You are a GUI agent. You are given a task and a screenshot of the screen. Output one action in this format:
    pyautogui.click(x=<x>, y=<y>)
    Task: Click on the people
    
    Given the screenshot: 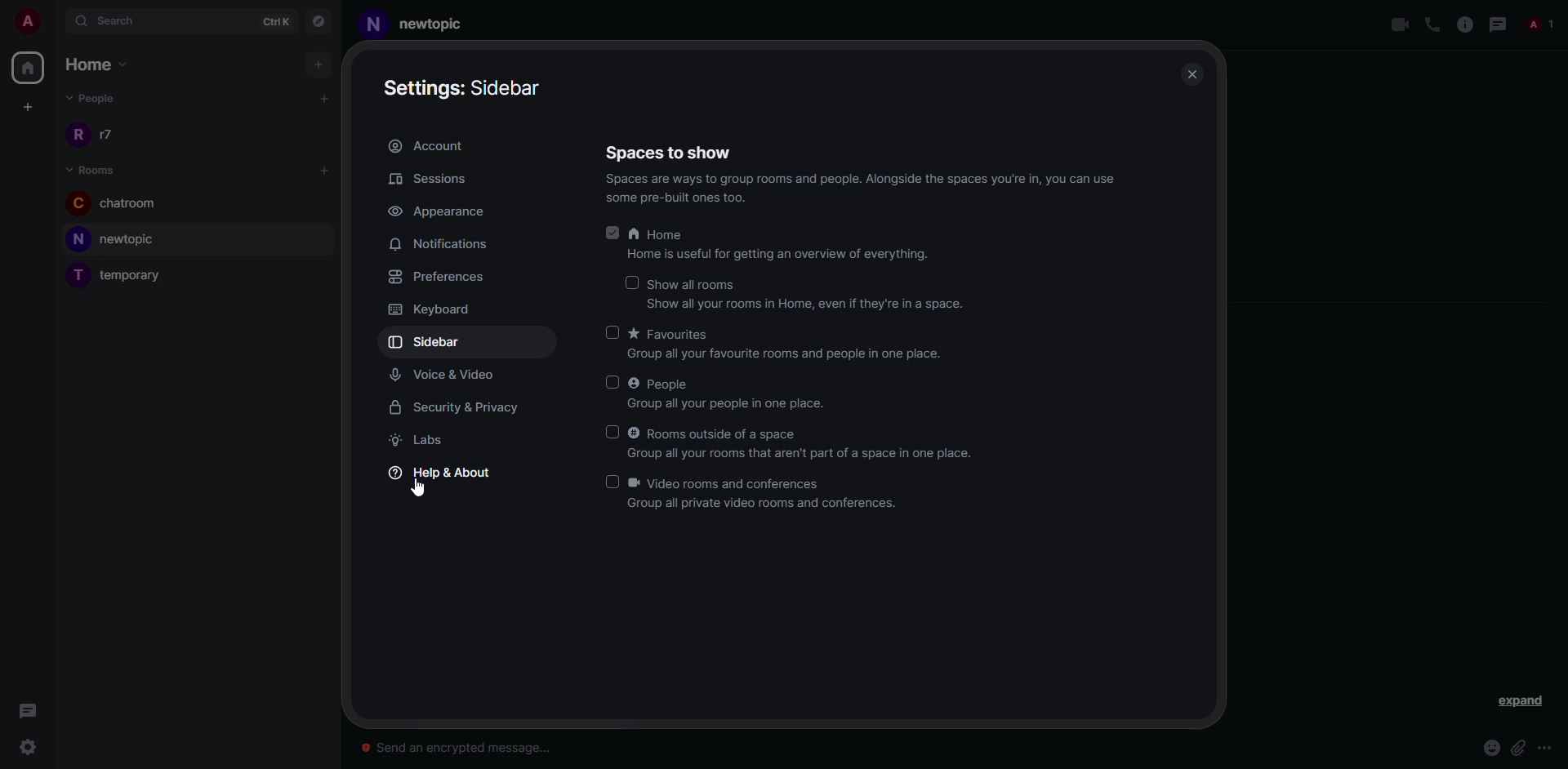 What is the action you would take?
    pyautogui.click(x=100, y=134)
    